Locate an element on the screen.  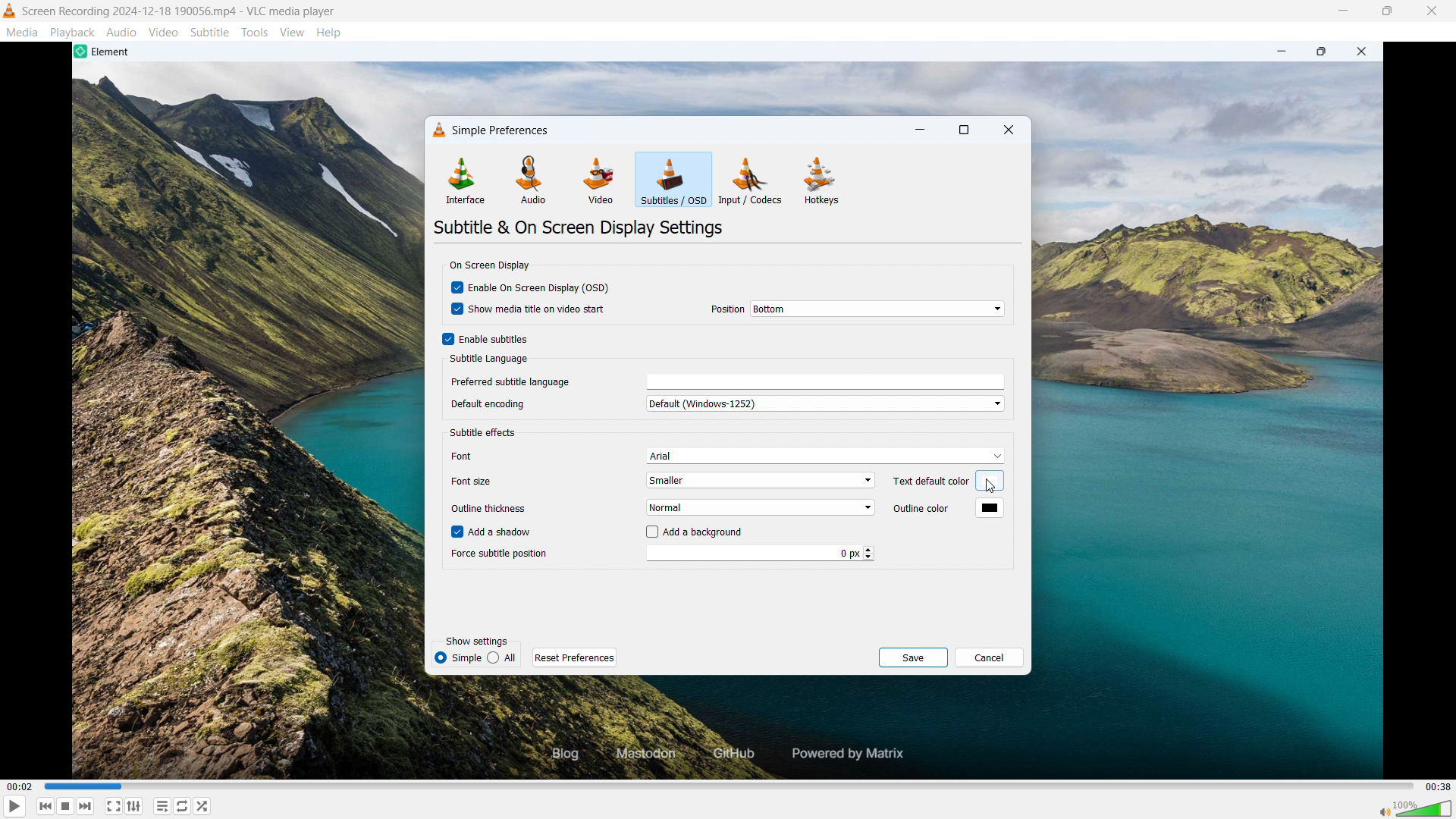
minimise  is located at coordinates (1341, 11).